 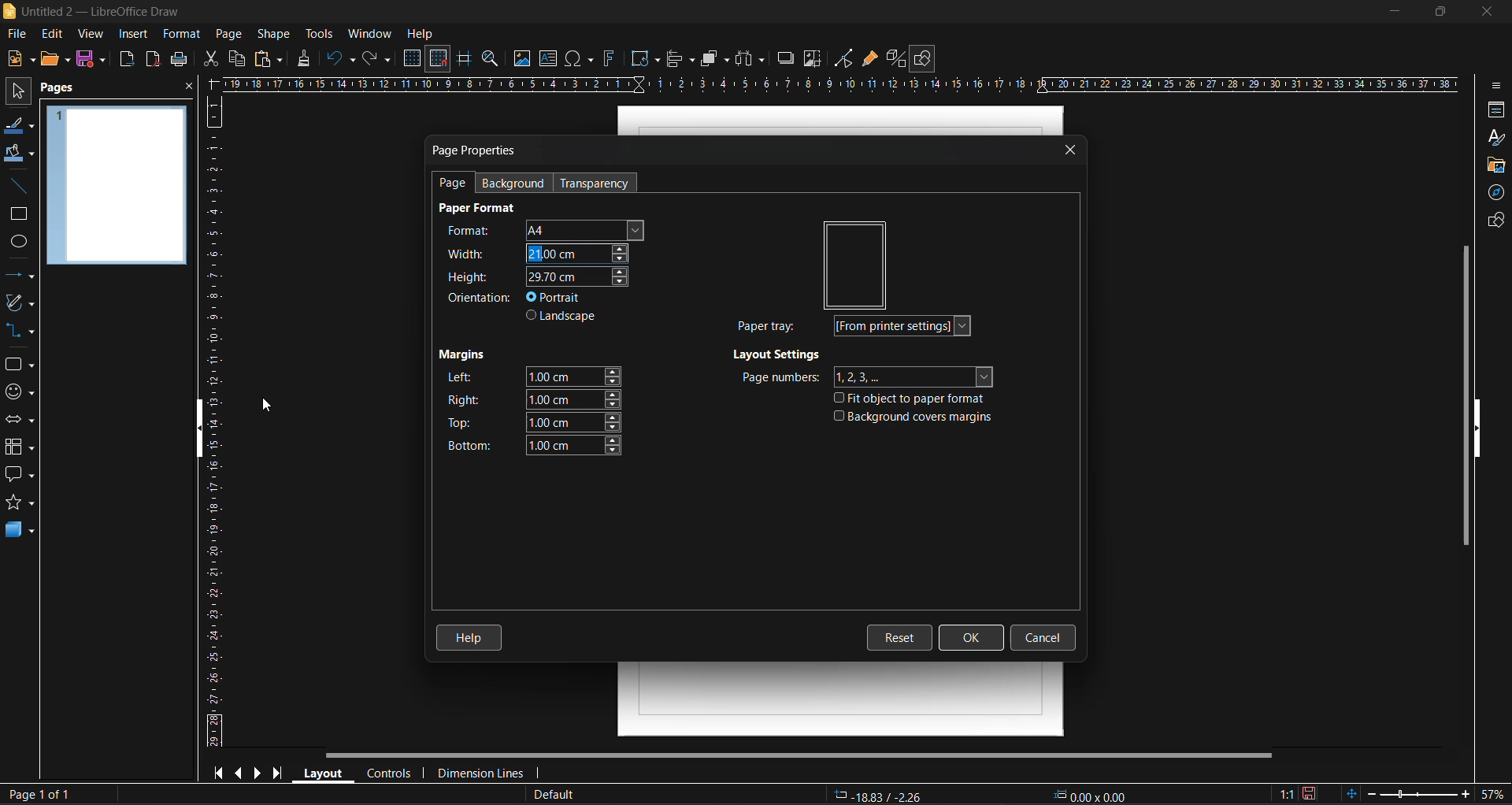 I want to click on hide, so click(x=192, y=429).